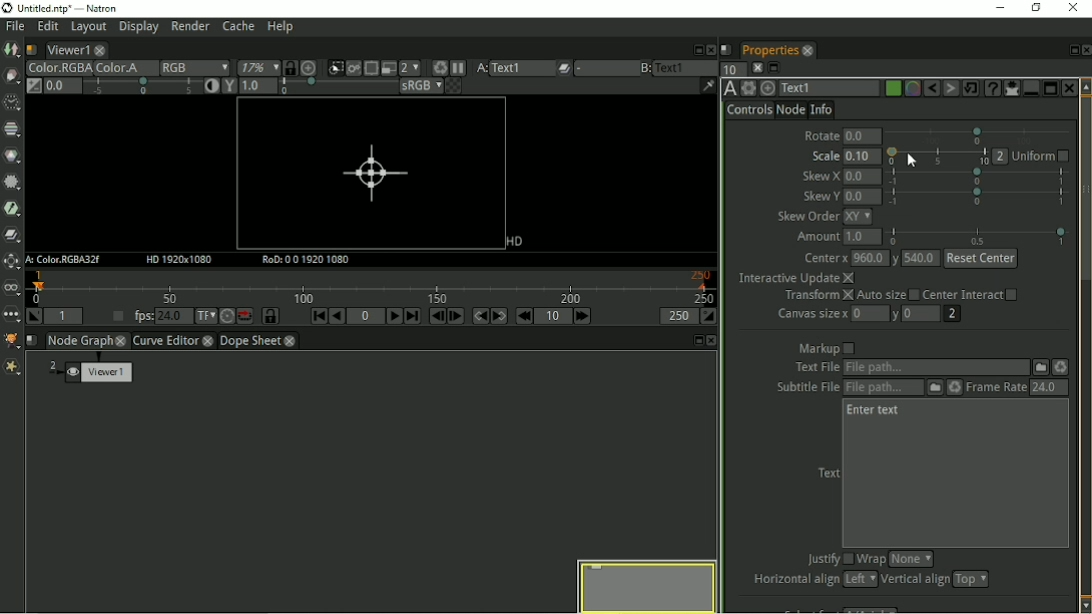 The height and width of the screenshot is (614, 1092). What do you see at coordinates (507, 67) in the screenshot?
I see `Viewer input A` at bounding box center [507, 67].